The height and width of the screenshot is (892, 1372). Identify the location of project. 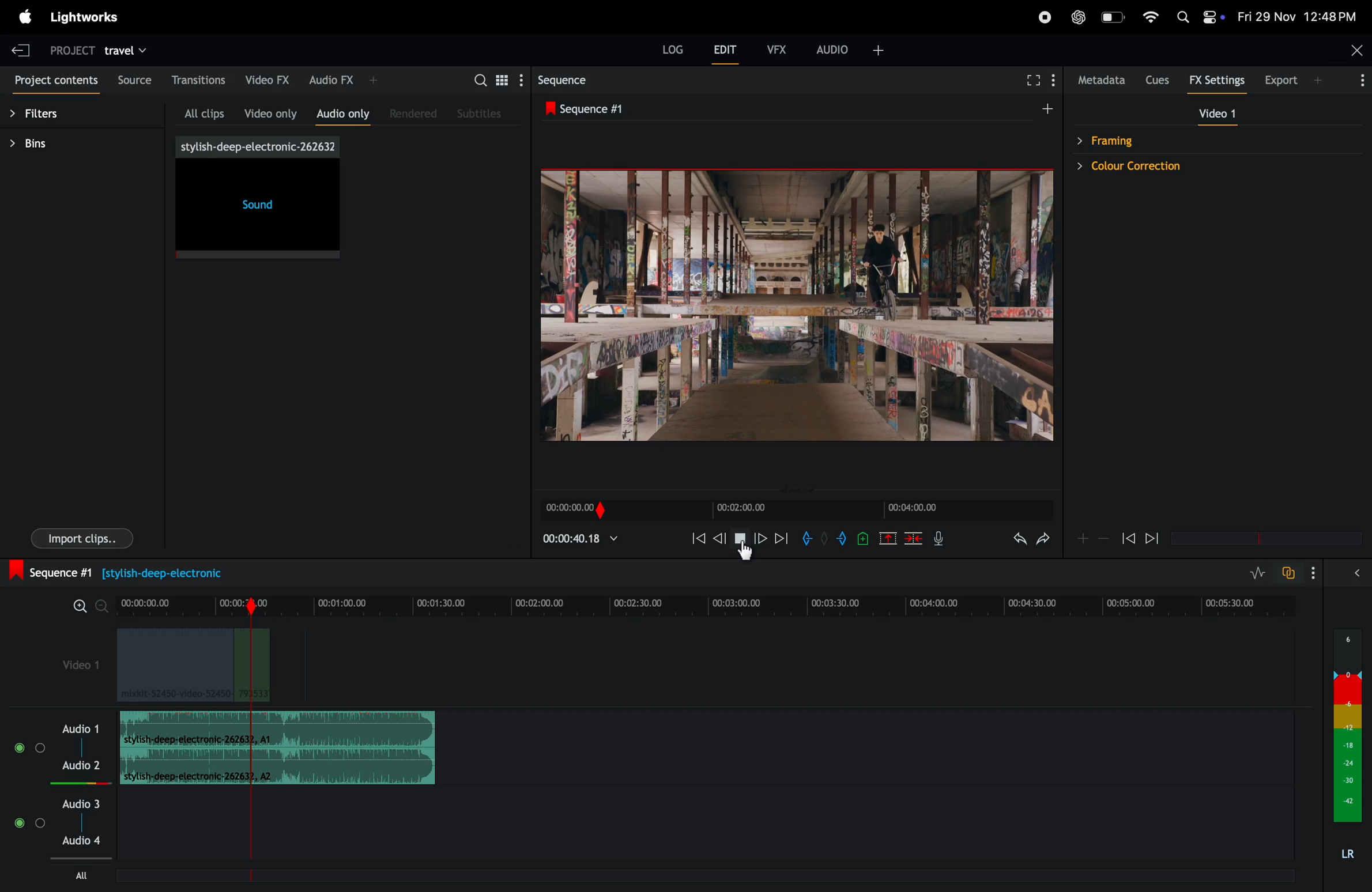
(67, 48).